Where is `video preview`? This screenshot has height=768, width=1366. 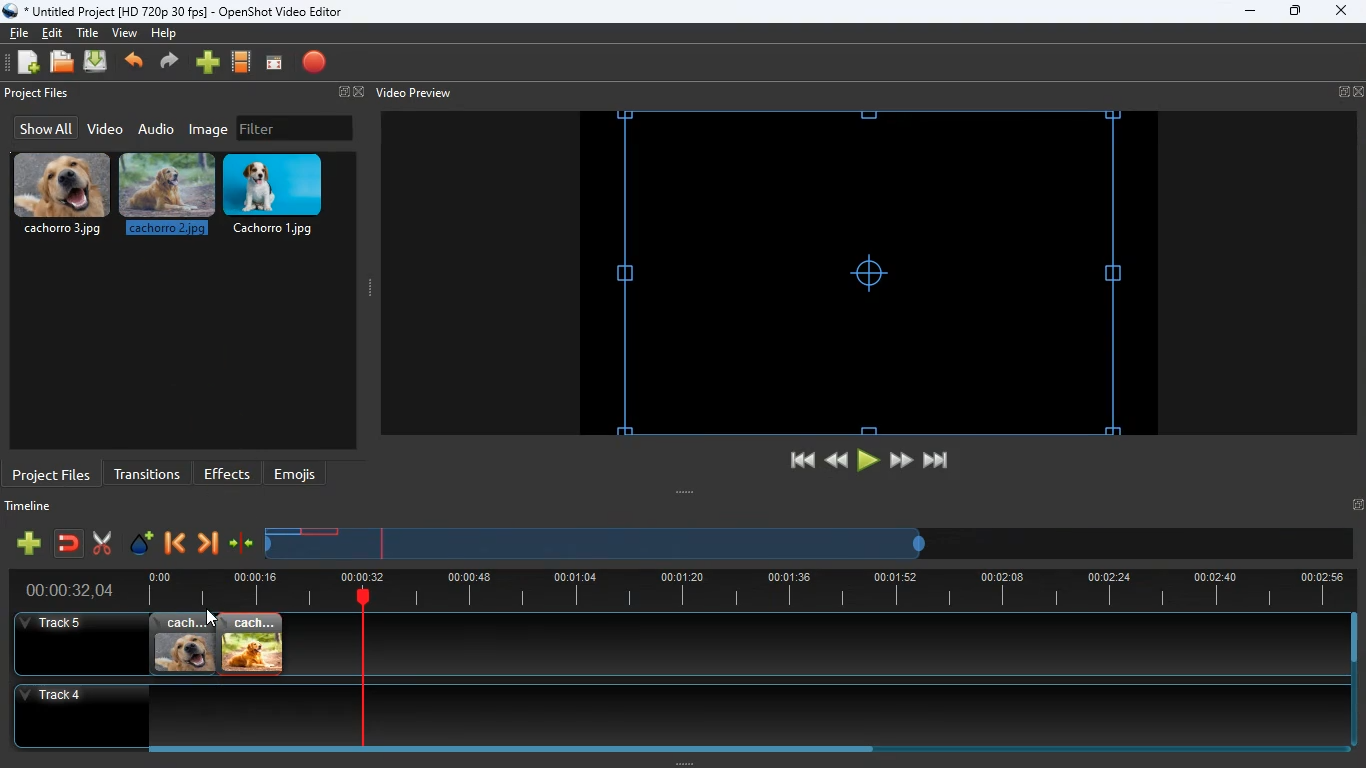
video preview is located at coordinates (412, 93).